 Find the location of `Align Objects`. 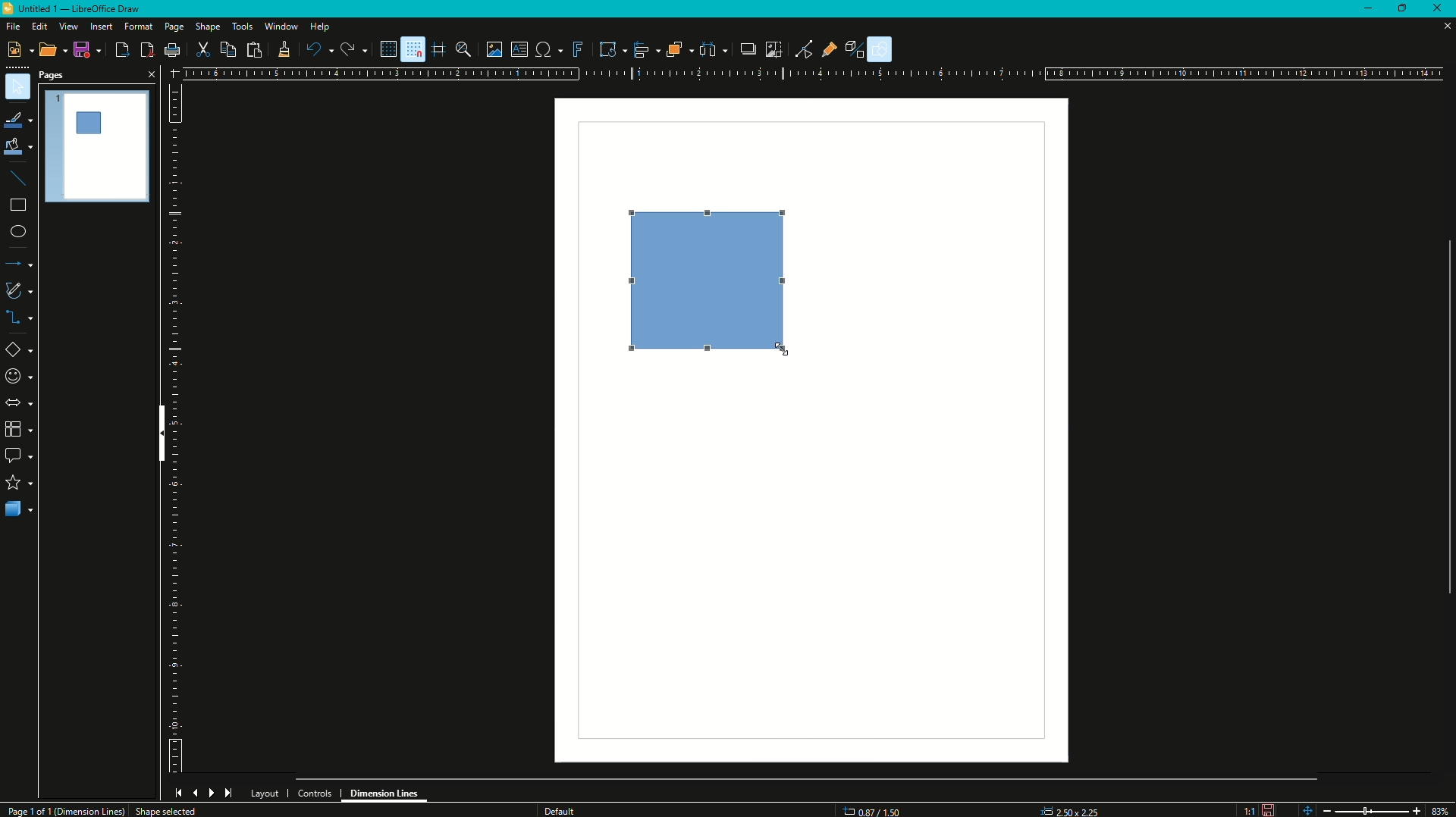

Align Objects is located at coordinates (643, 50).